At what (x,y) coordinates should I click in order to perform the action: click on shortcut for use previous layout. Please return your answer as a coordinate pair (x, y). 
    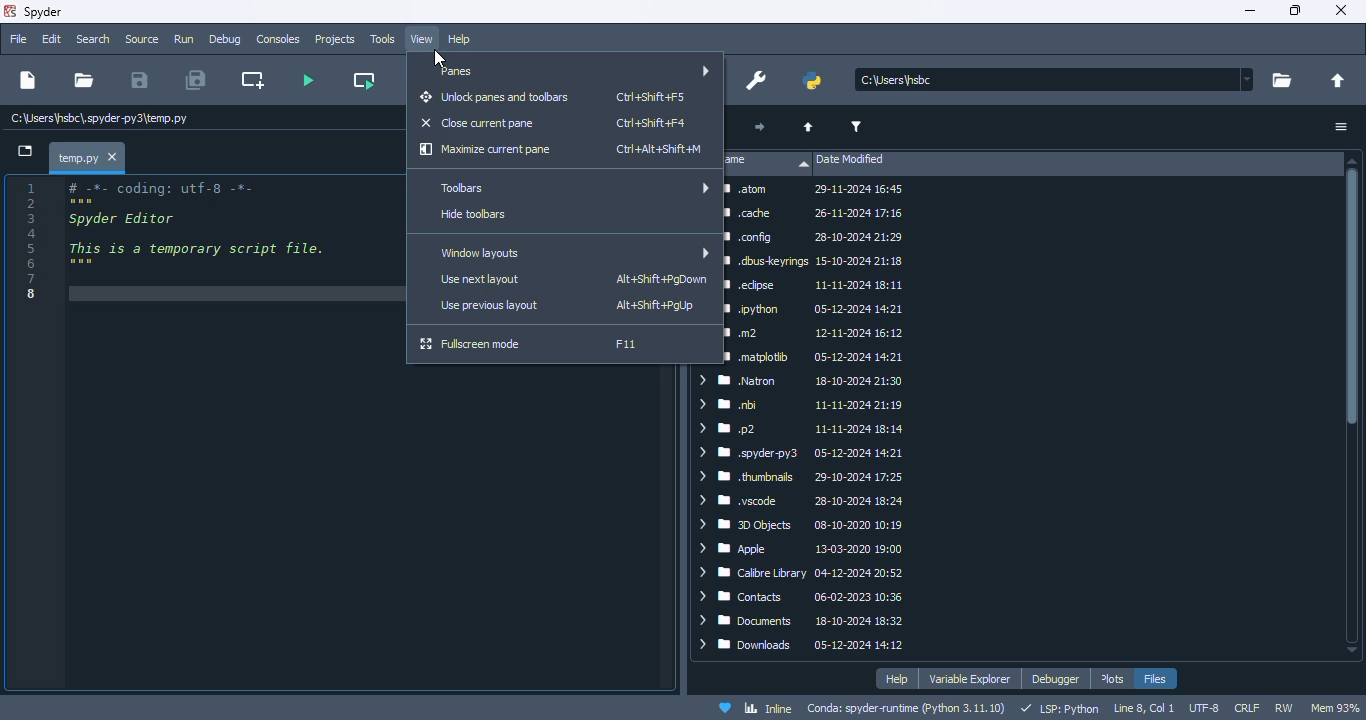
    Looking at the image, I should click on (658, 305).